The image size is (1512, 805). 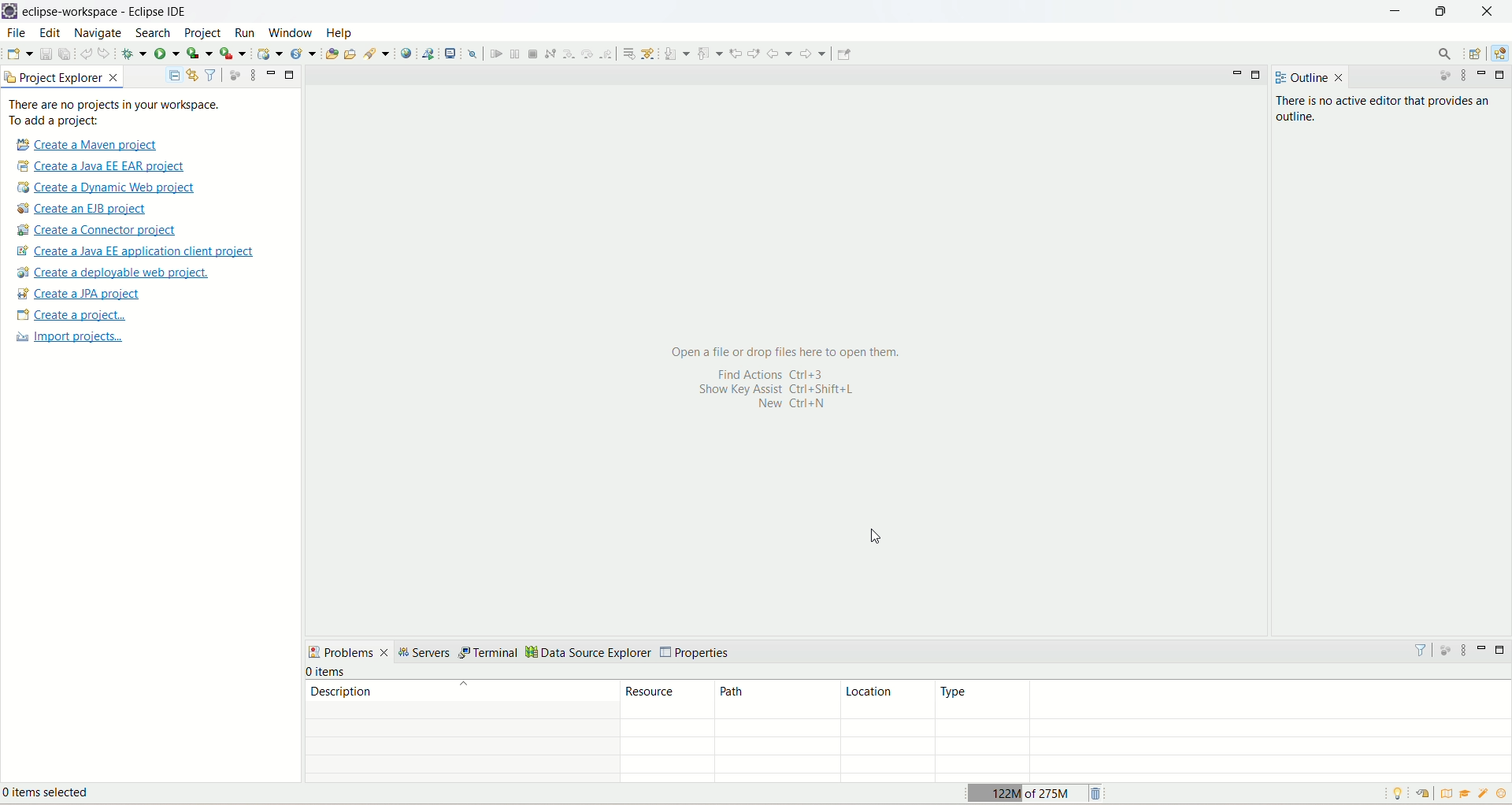 What do you see at coordinates (135, 253) in the screenshot?
I see `create a Java EE application client project` at bounding box center [135, 253].